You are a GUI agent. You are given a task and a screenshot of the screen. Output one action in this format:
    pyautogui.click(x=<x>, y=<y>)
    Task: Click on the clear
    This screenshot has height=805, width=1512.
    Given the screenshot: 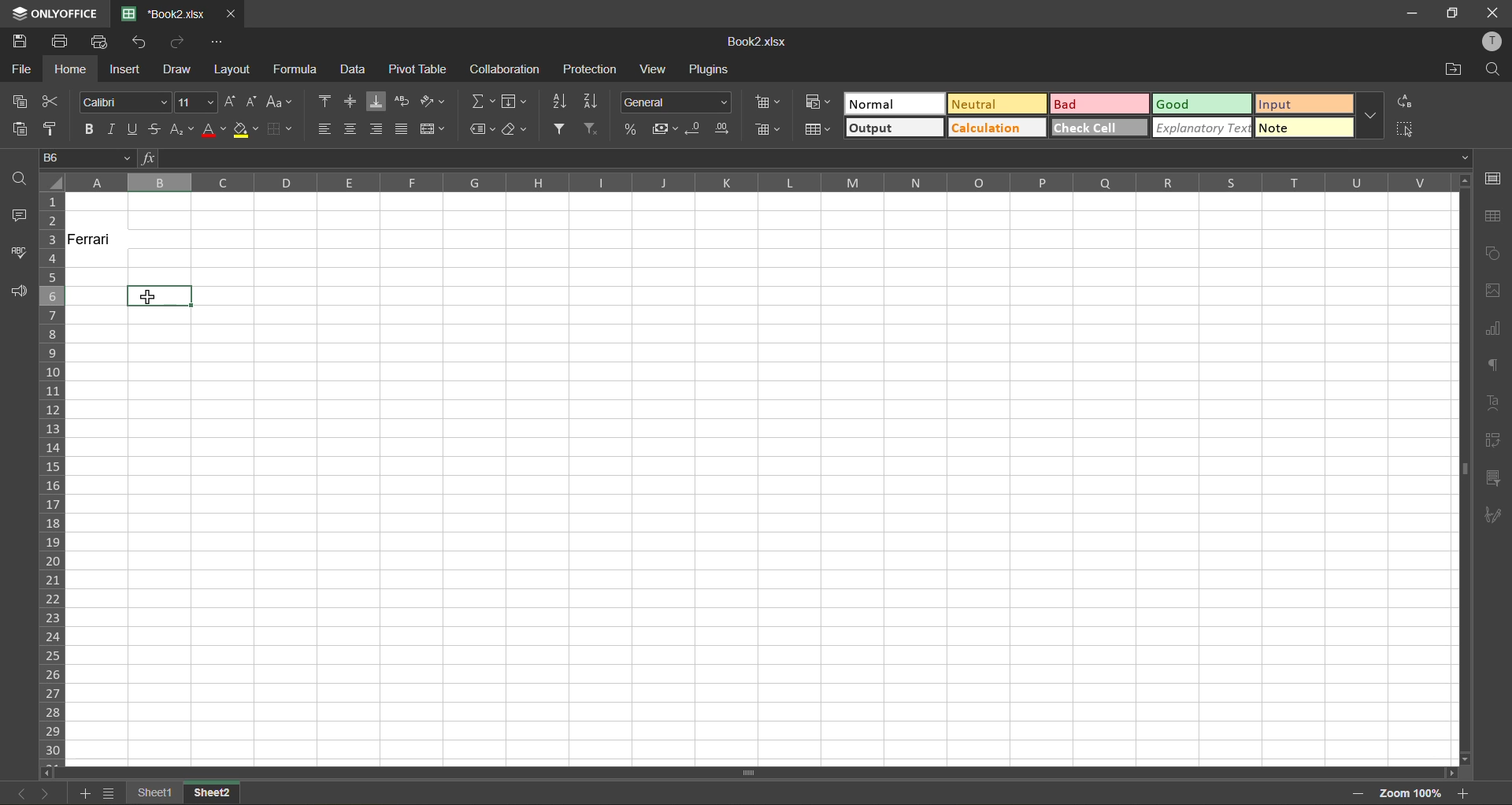 What is the action you would take?
    pyautogui.click(x=517, y=133)
    